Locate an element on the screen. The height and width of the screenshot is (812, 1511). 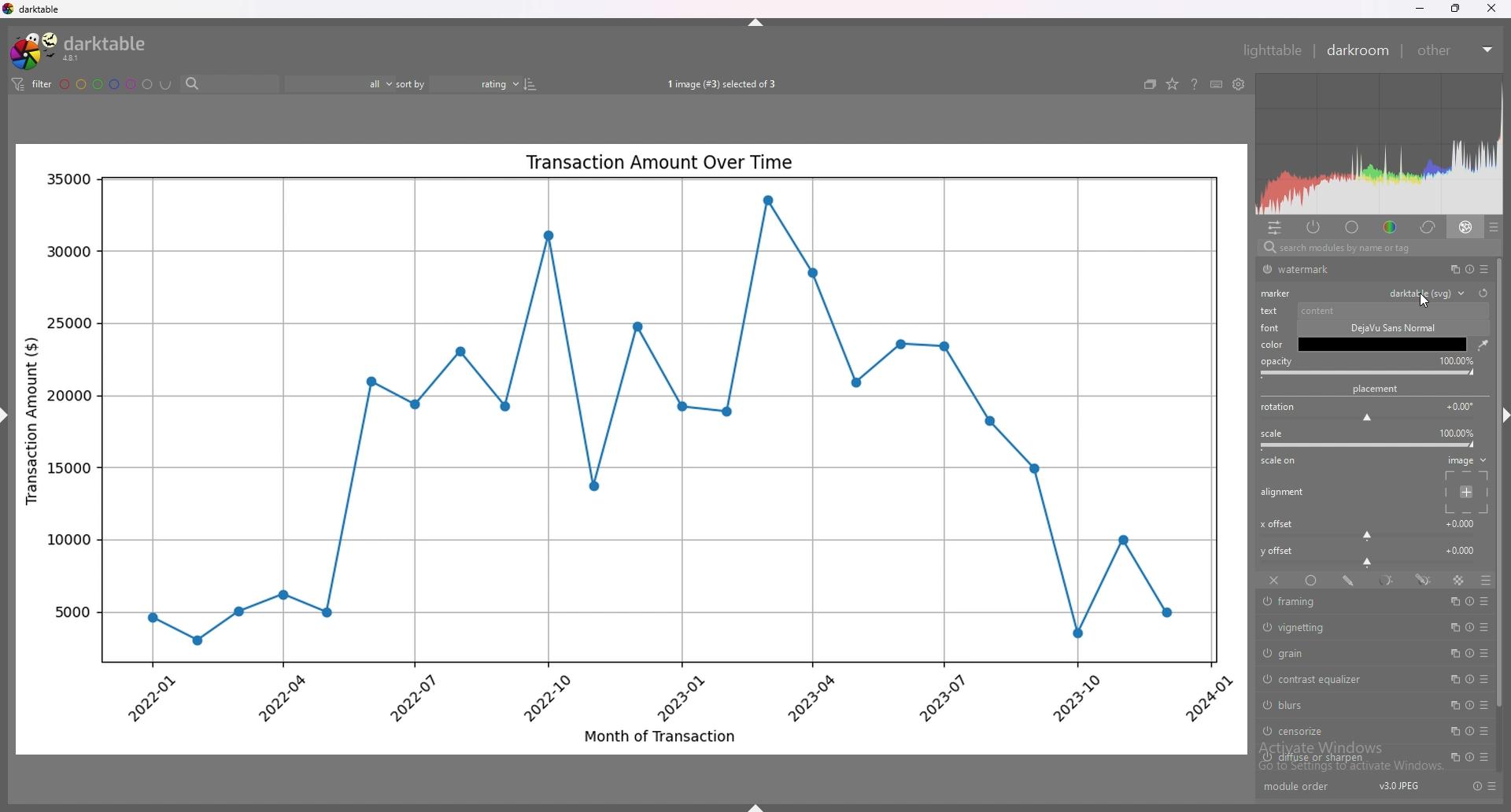
marker is located at coordinates (1276, 293).